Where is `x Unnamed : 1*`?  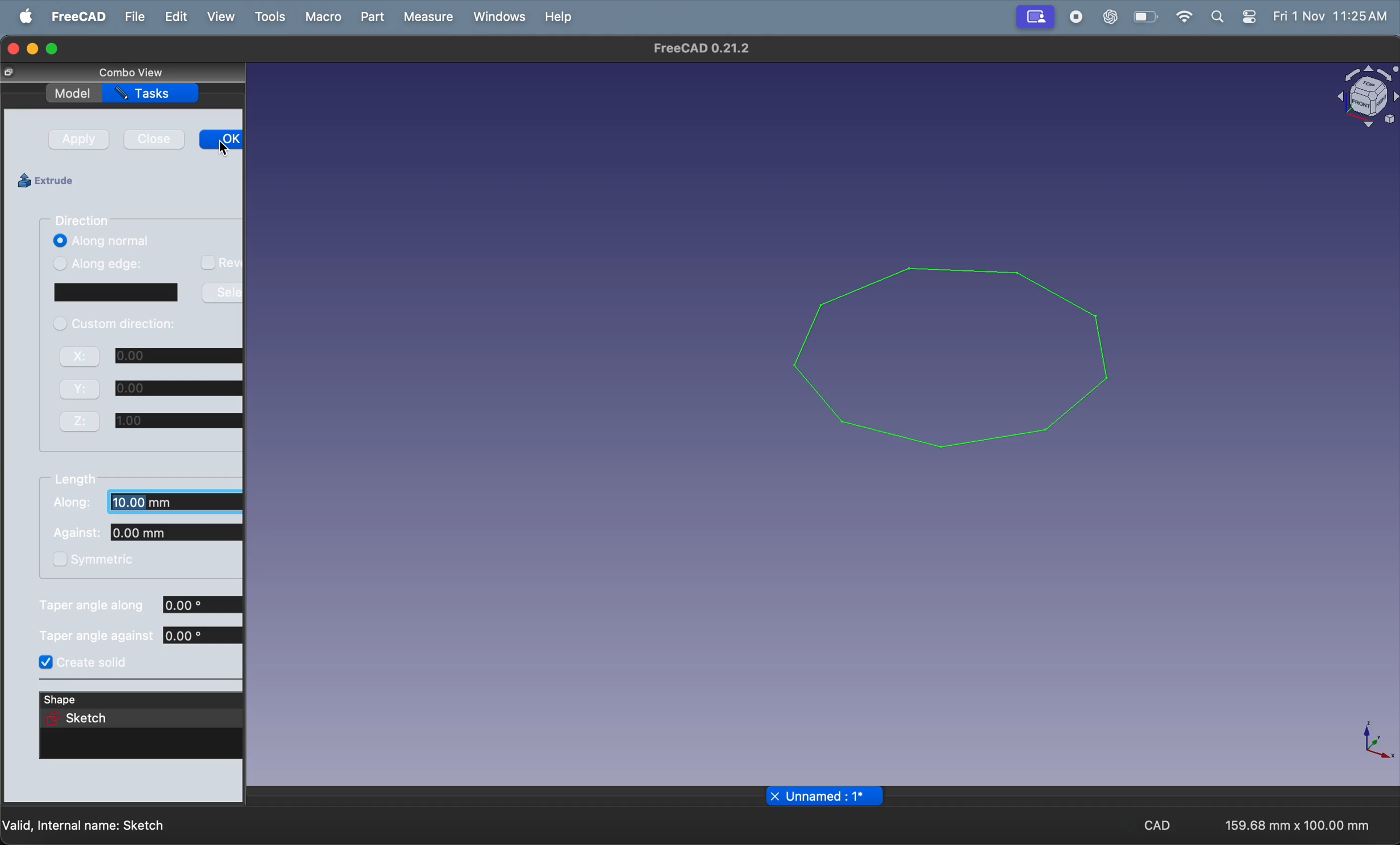
x Unnamed : 1* is located at coordinates (820, 795).